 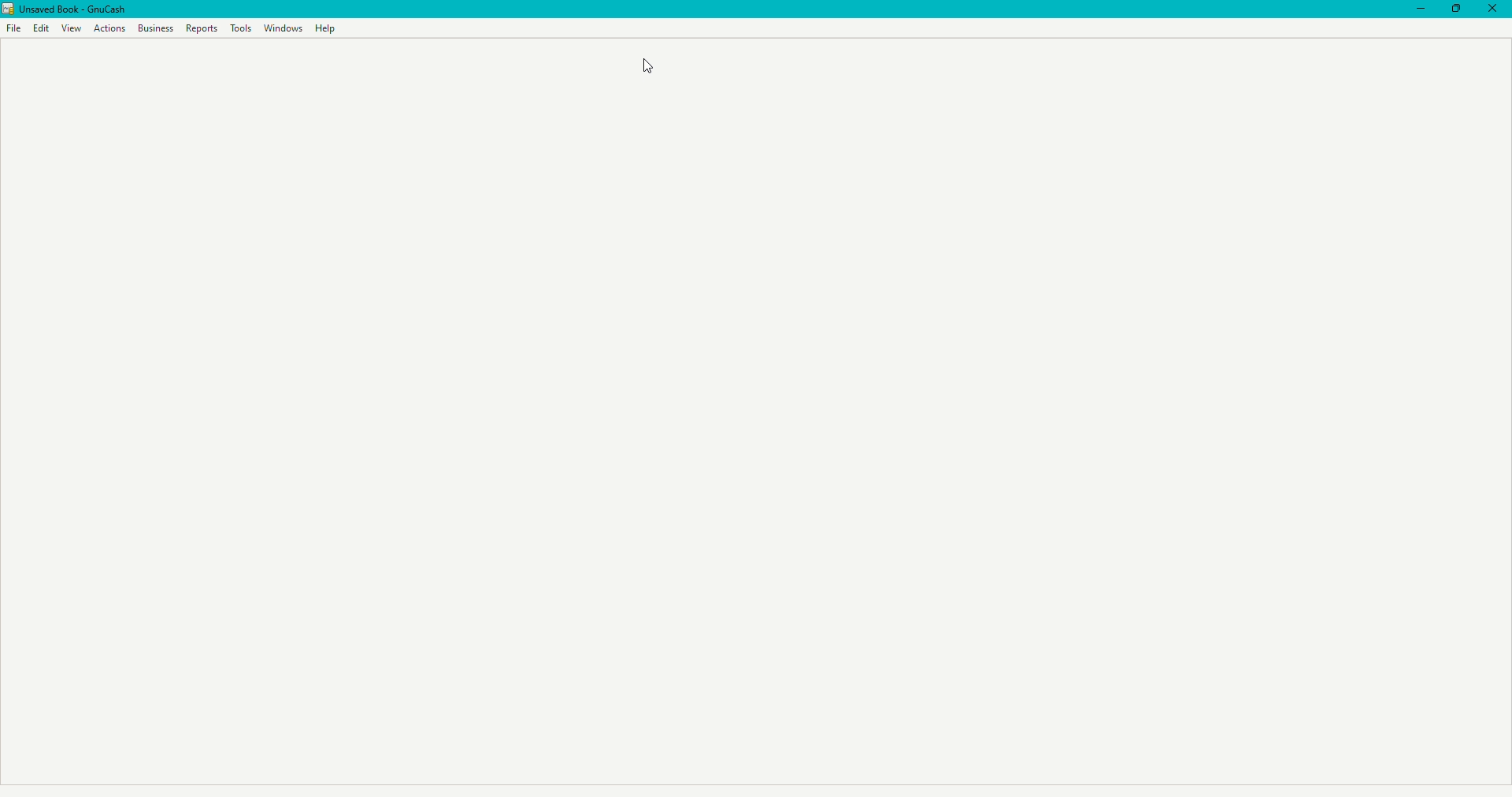 What do you see at coordinates (1457, 9) in the screenshot?
I see `Restore` at bounding box center [1457, 9].